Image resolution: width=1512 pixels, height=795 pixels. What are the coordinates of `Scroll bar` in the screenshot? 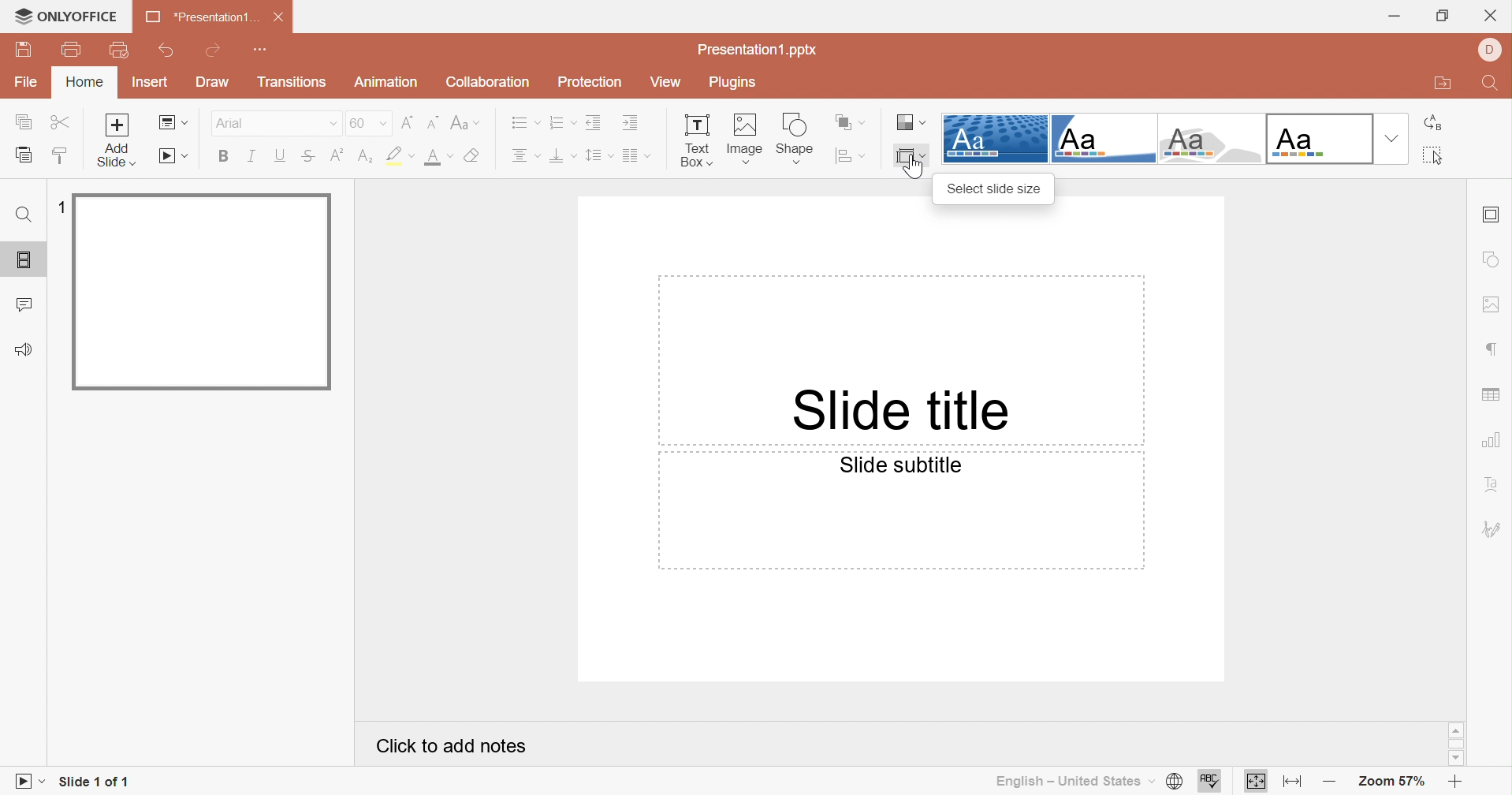 It's located at (1456, 742).